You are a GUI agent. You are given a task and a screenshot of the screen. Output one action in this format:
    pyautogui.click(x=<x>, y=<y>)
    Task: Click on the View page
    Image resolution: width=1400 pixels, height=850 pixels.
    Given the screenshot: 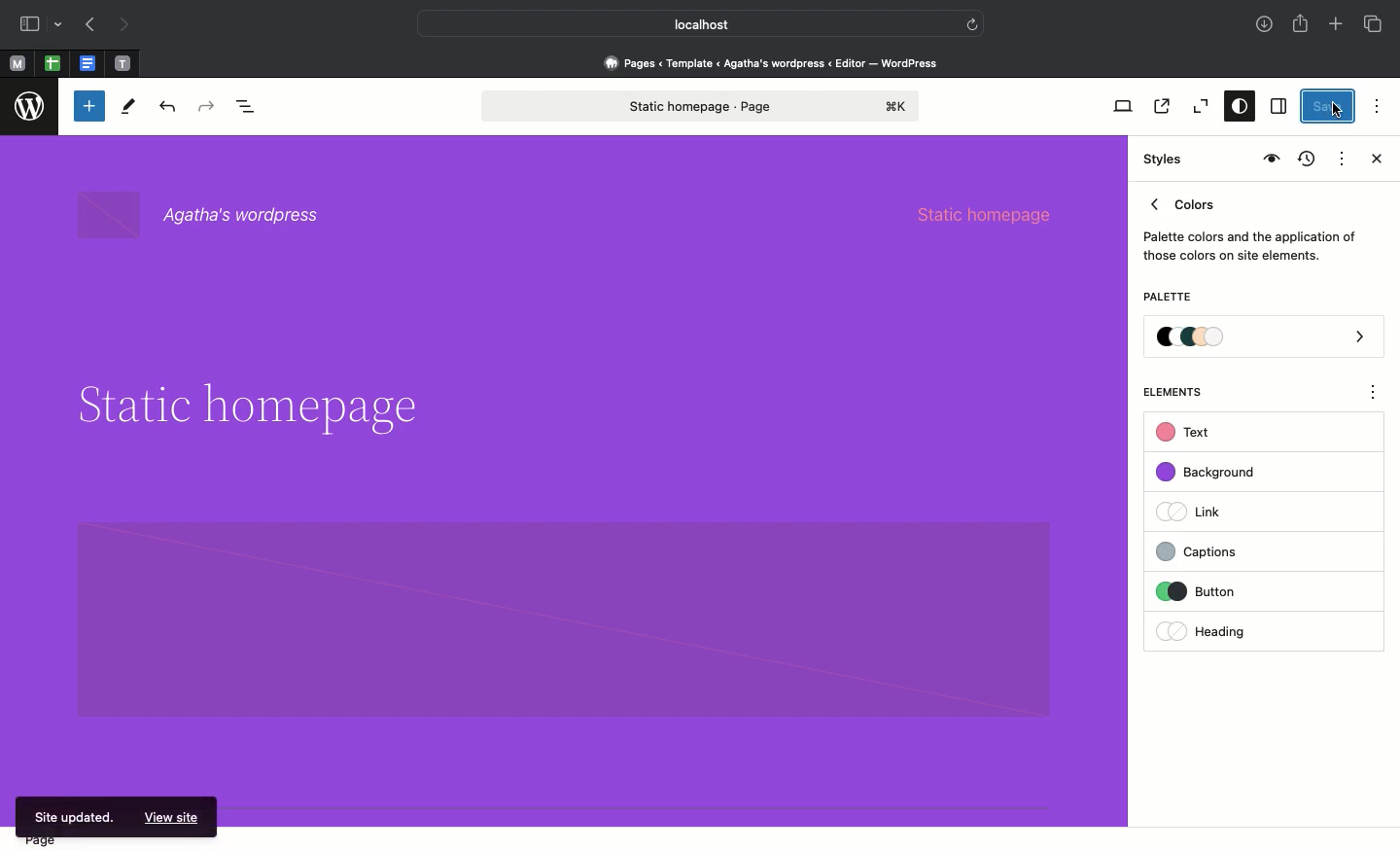 What is the action you would take?
    pyautogui.click(x=1160, y=106)
    